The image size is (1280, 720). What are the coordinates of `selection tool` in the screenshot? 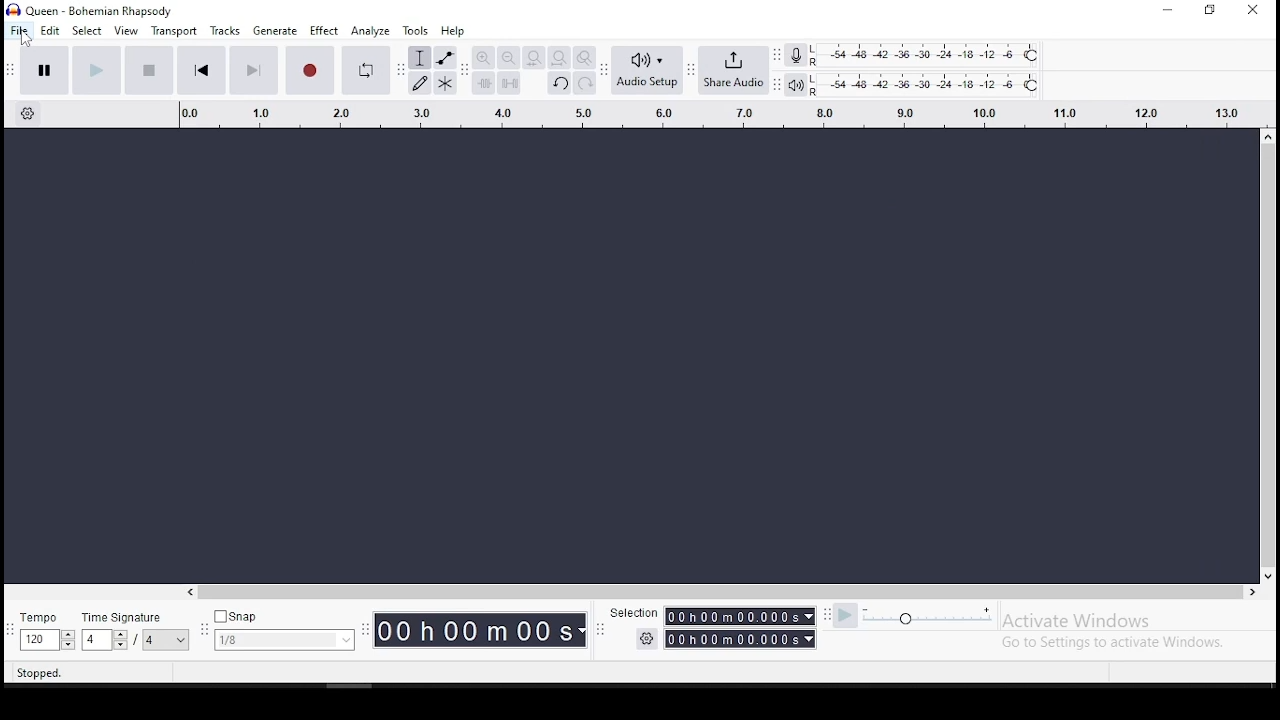 It's located at (419, 59).